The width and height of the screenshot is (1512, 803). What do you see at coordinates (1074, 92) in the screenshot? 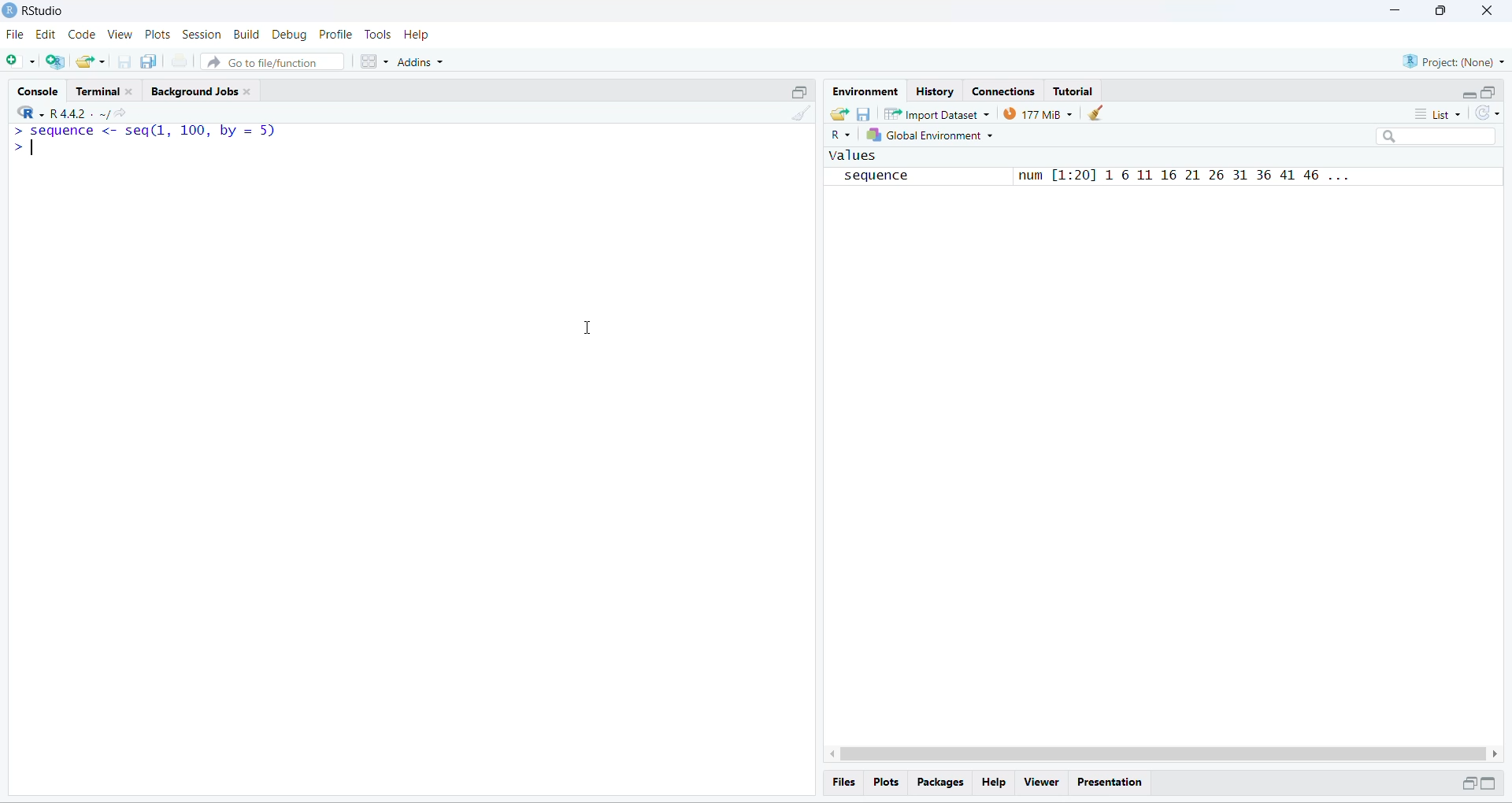
I see `tutorial` at bounding box center [1074, 92].